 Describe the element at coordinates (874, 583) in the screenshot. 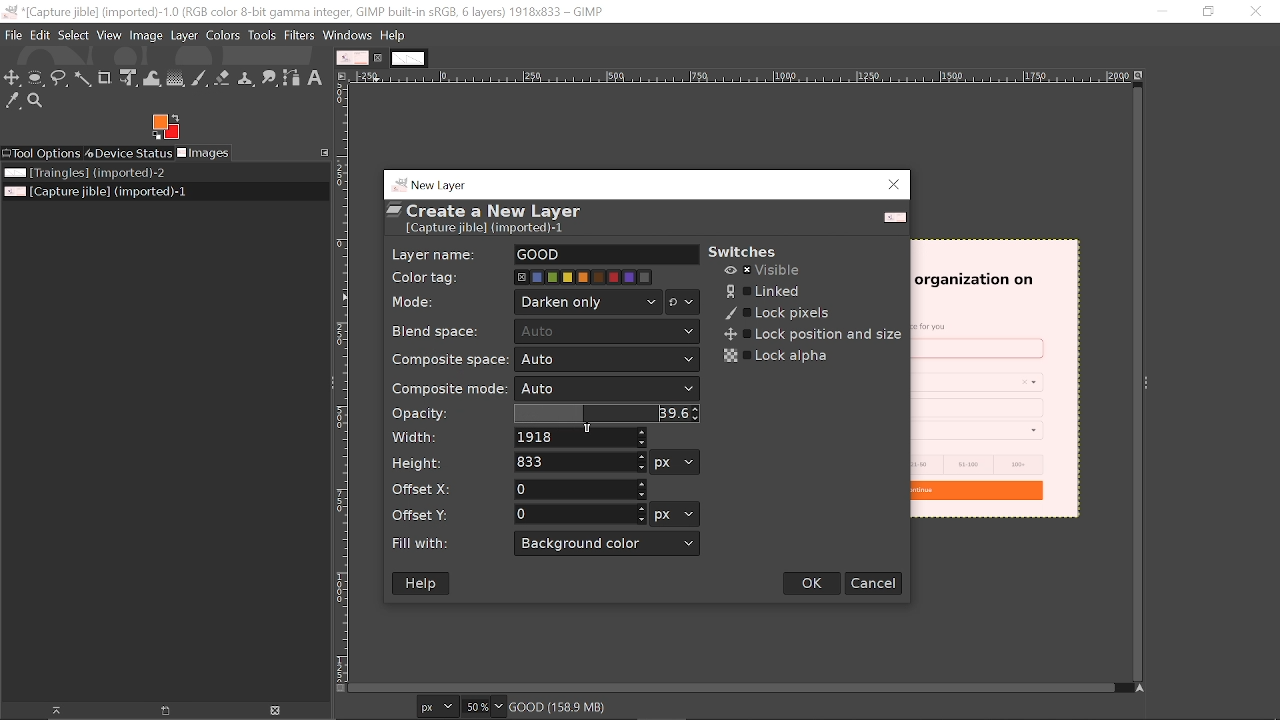

I see `Cancel` at that location.